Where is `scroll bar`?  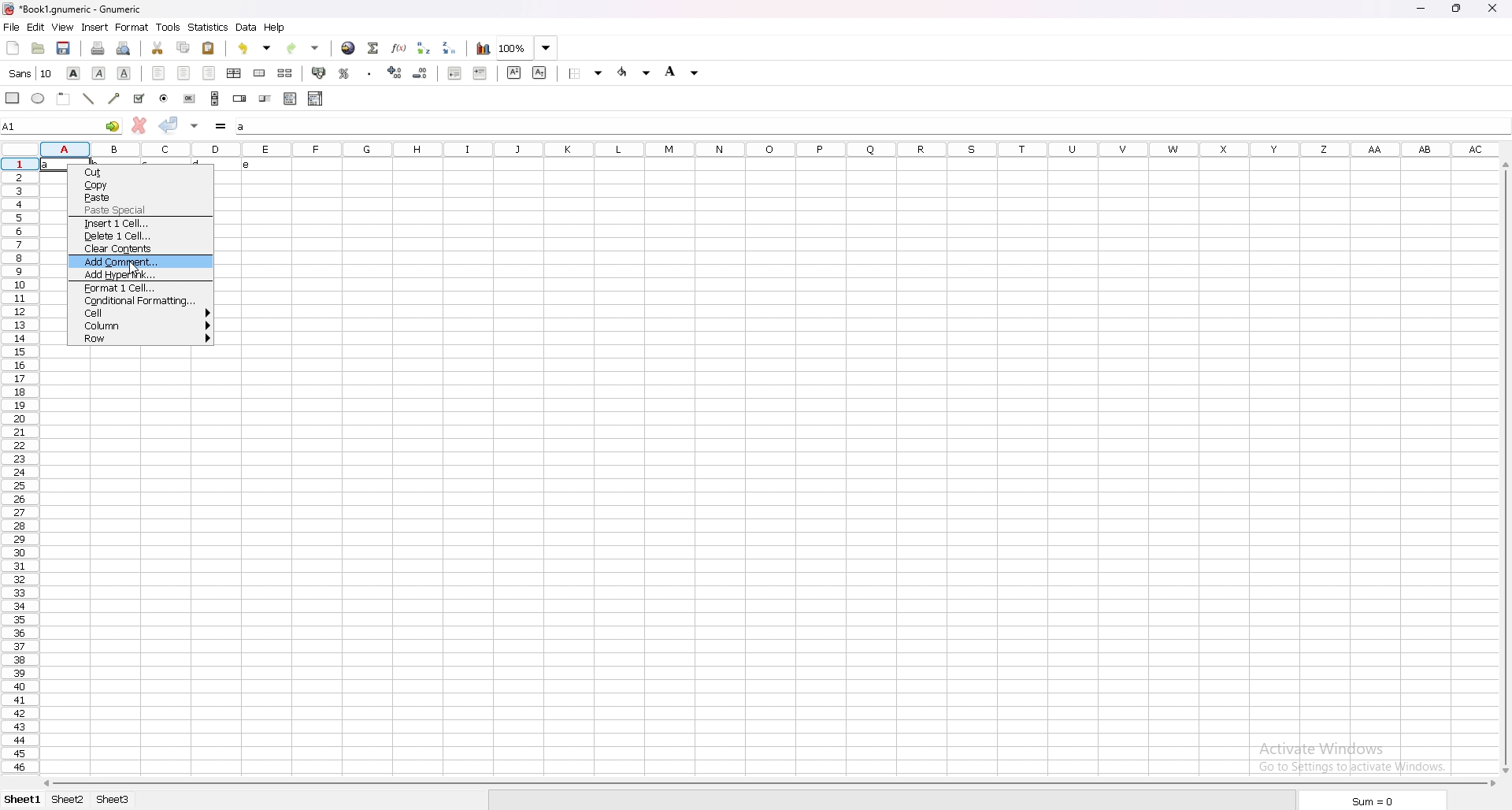 scroll bar is located at coordinates (1504, 470).